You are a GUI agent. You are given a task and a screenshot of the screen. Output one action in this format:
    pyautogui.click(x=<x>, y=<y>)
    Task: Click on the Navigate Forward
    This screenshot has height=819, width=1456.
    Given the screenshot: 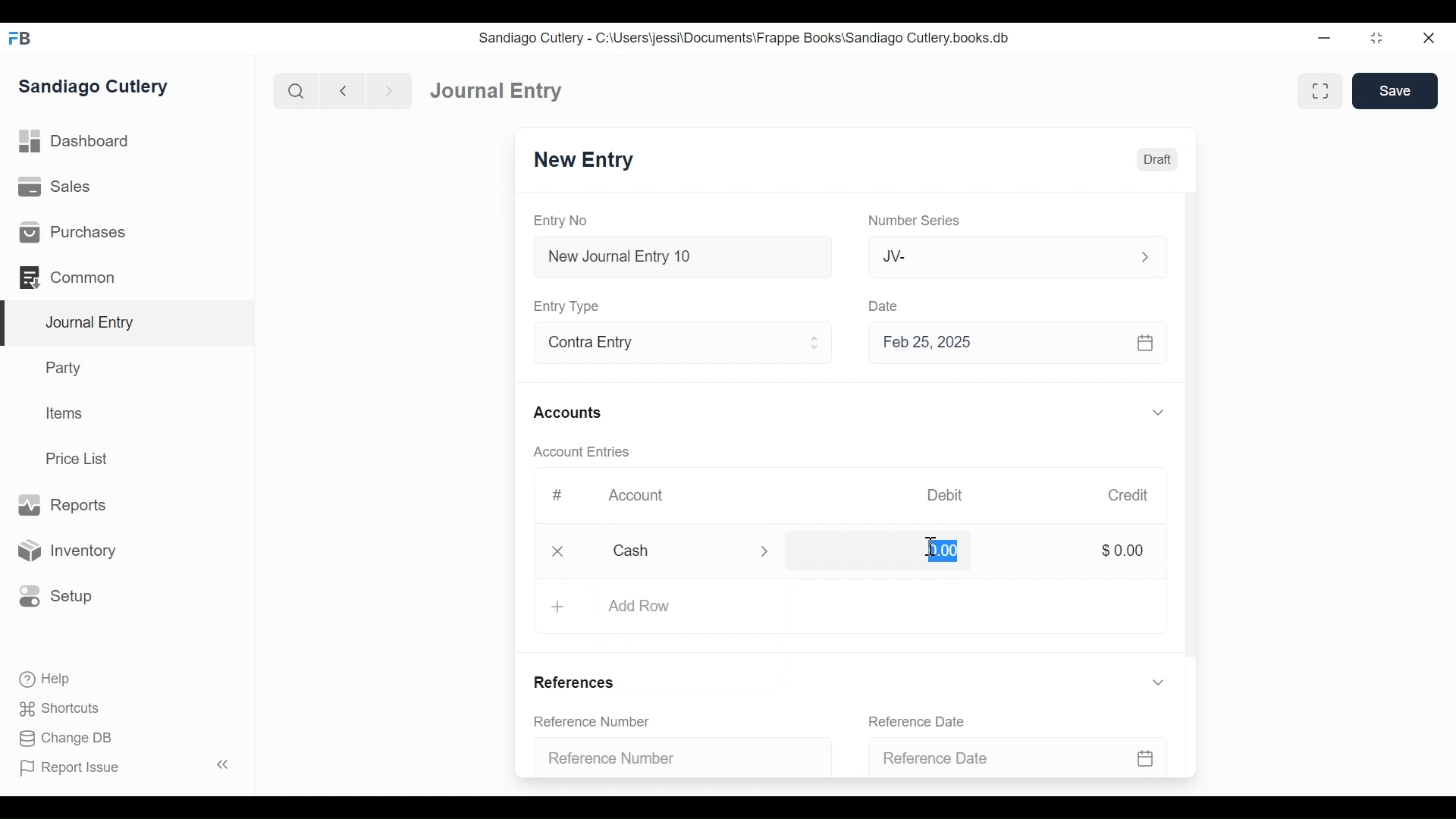 What is the action you would take?
    pyautogui.click(x=390, y=89)
    